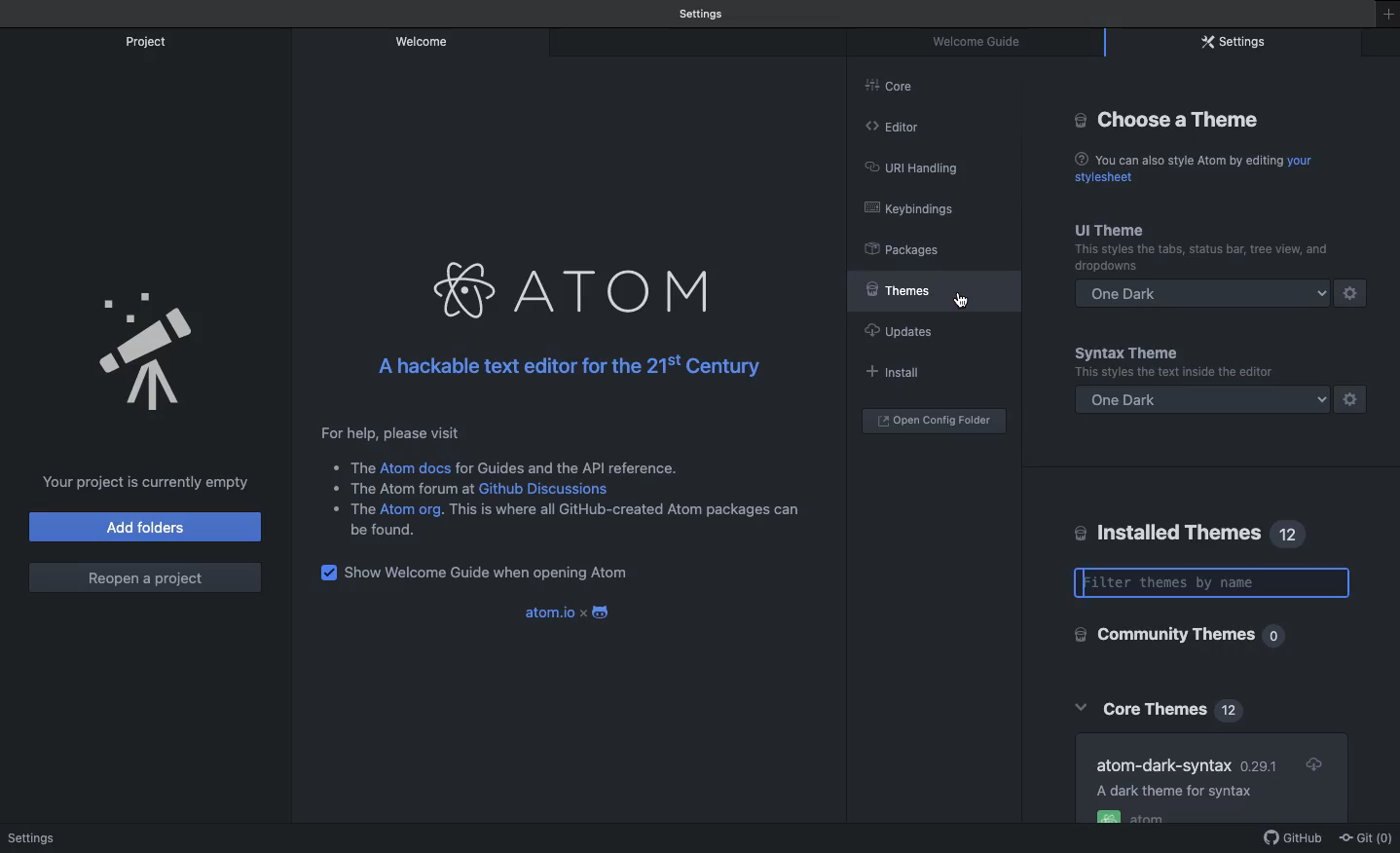  What do you see at coordinates (349, 507) in the screenshot?
I see `* The` at bounding box center [349, 507].